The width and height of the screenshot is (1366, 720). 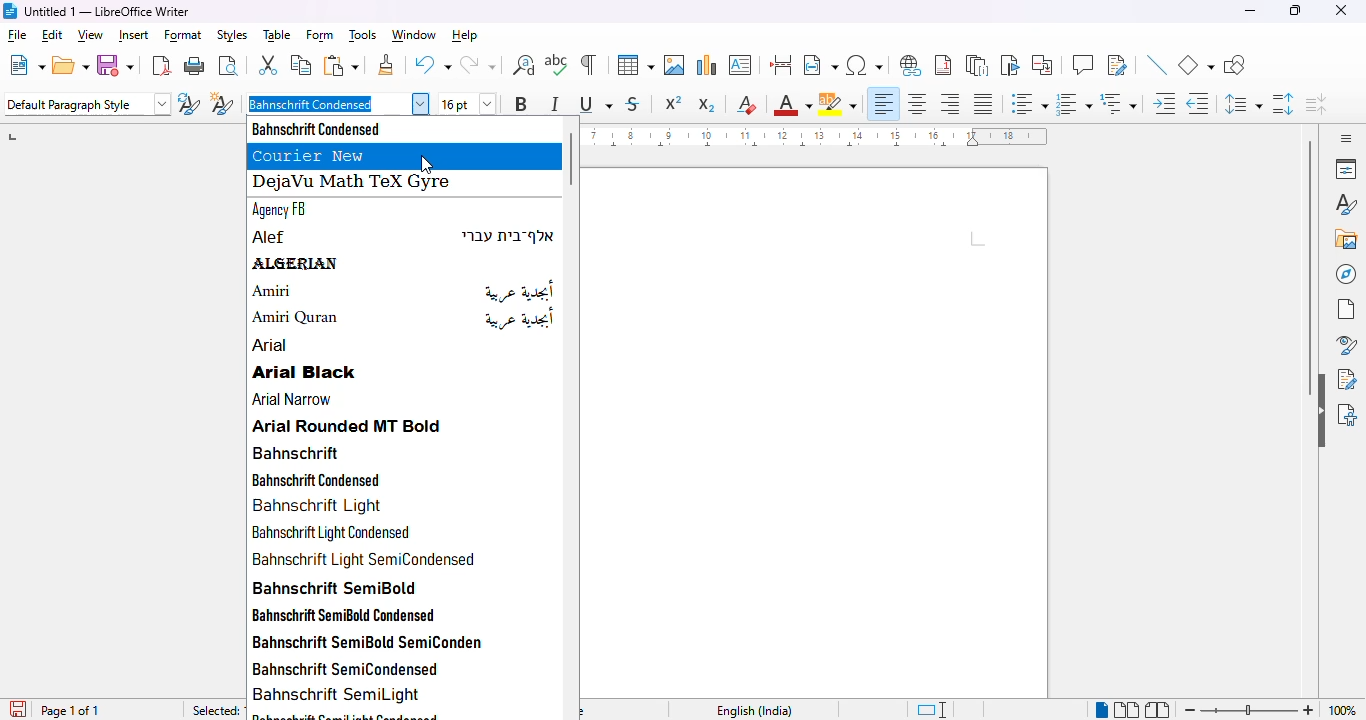 I want to click on print, so click(x=195, y=66).